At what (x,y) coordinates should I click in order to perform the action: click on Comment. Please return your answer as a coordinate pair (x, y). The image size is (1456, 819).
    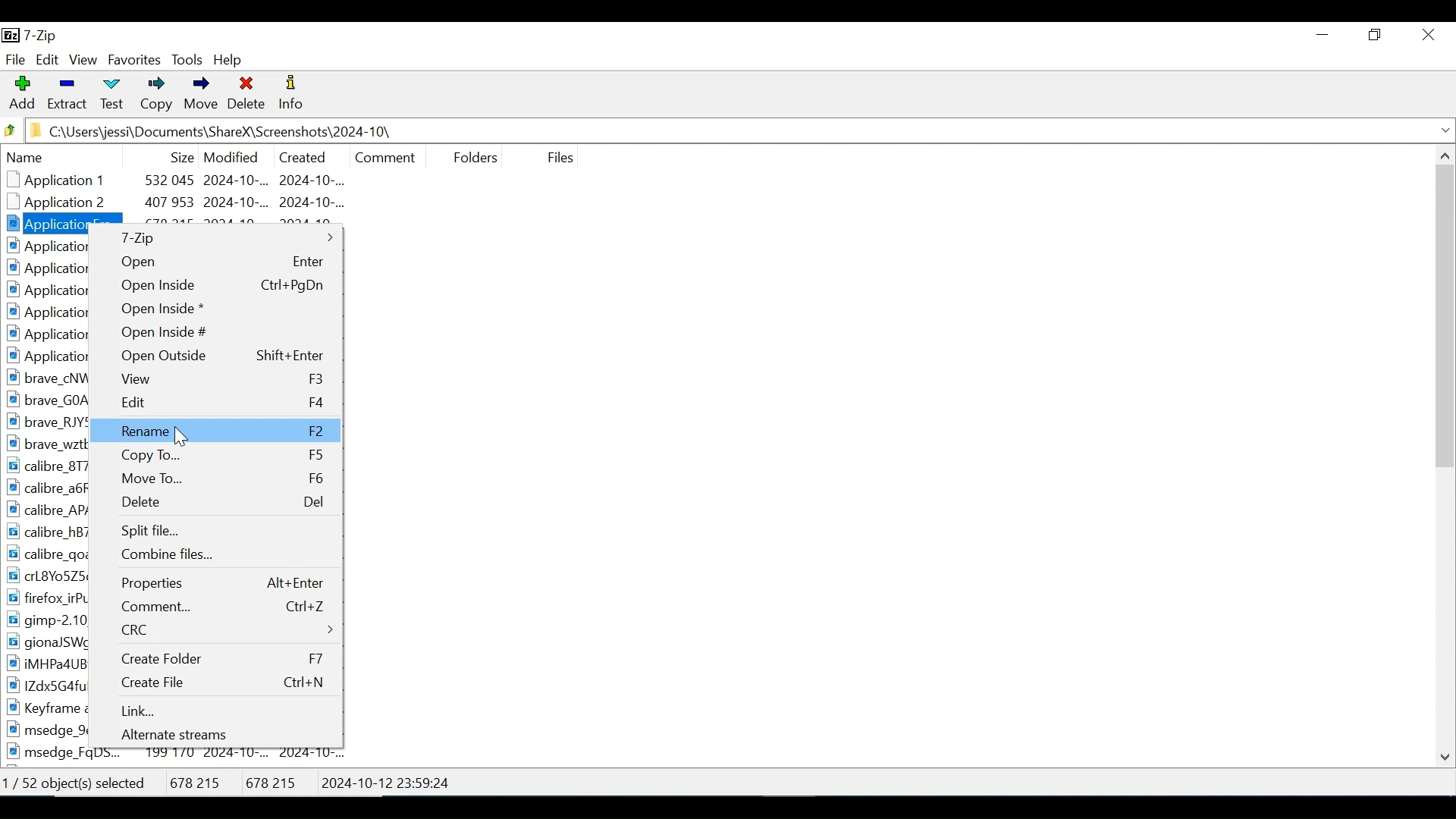
    Looking at the image, I should click on (385, 155).